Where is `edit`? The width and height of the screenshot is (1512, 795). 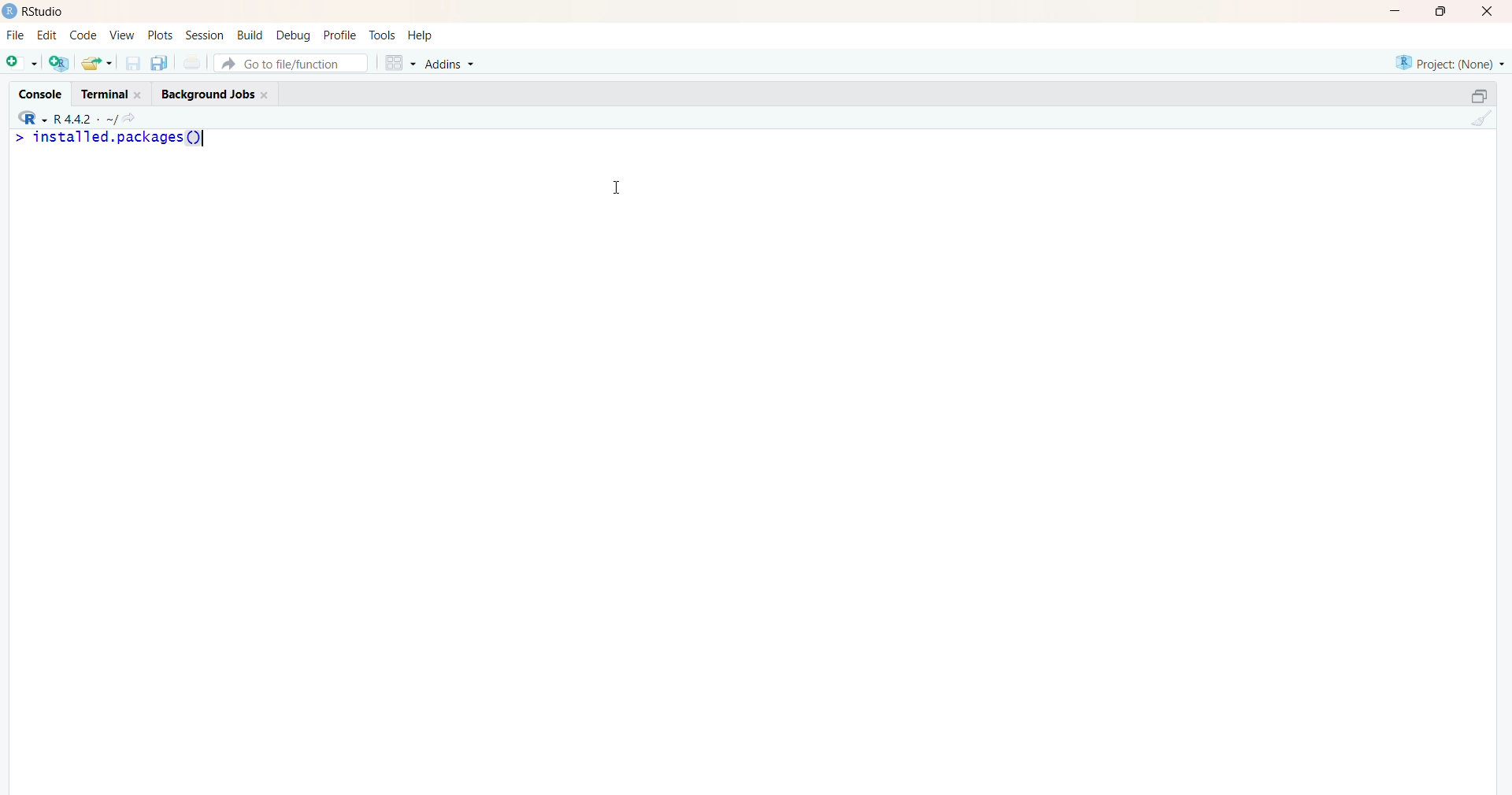
edit is located at coordinates (48, 35).